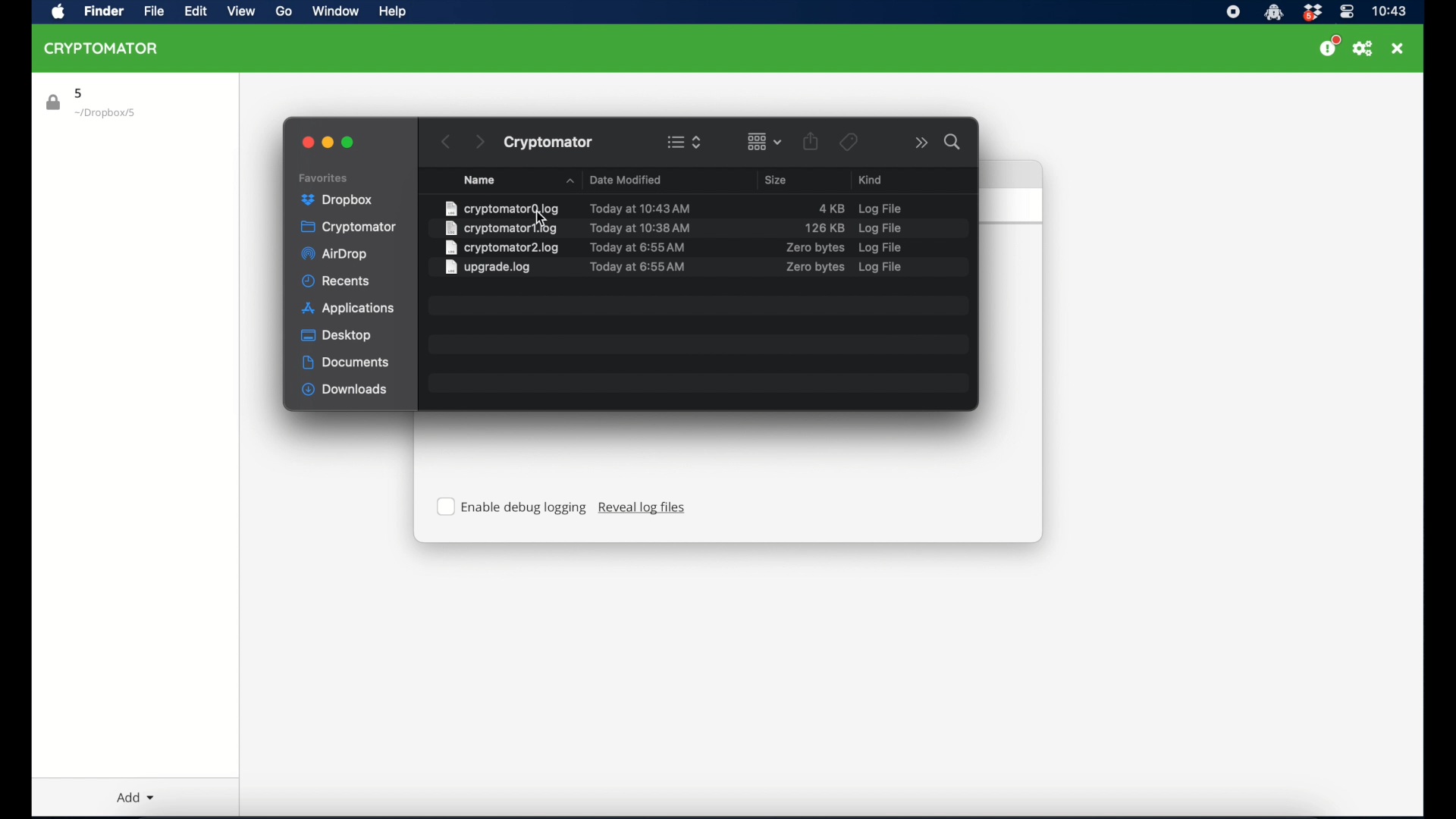 The image size is (1456, 819). I want to click on control center, so click(1347, 11).